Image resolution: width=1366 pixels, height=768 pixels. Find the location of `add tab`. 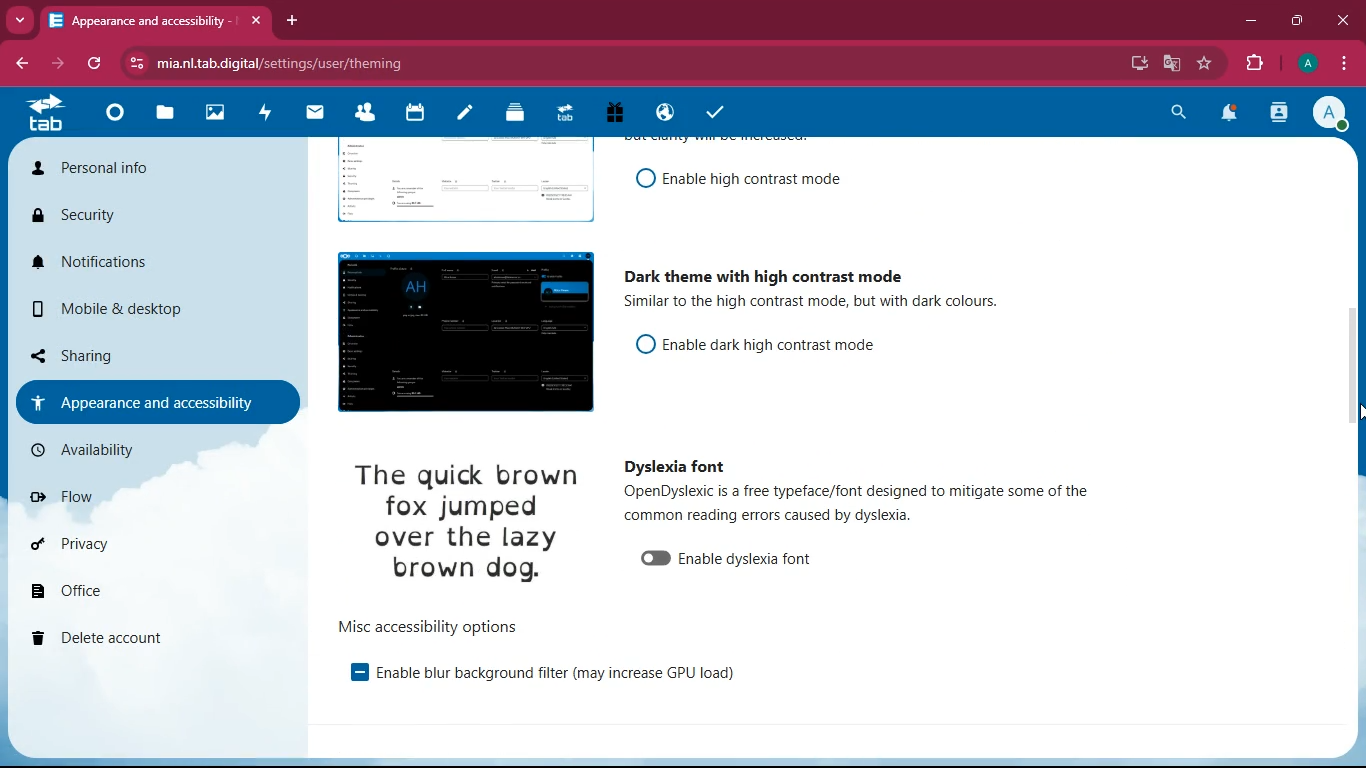

add tab is located at coordinates (292, 20).